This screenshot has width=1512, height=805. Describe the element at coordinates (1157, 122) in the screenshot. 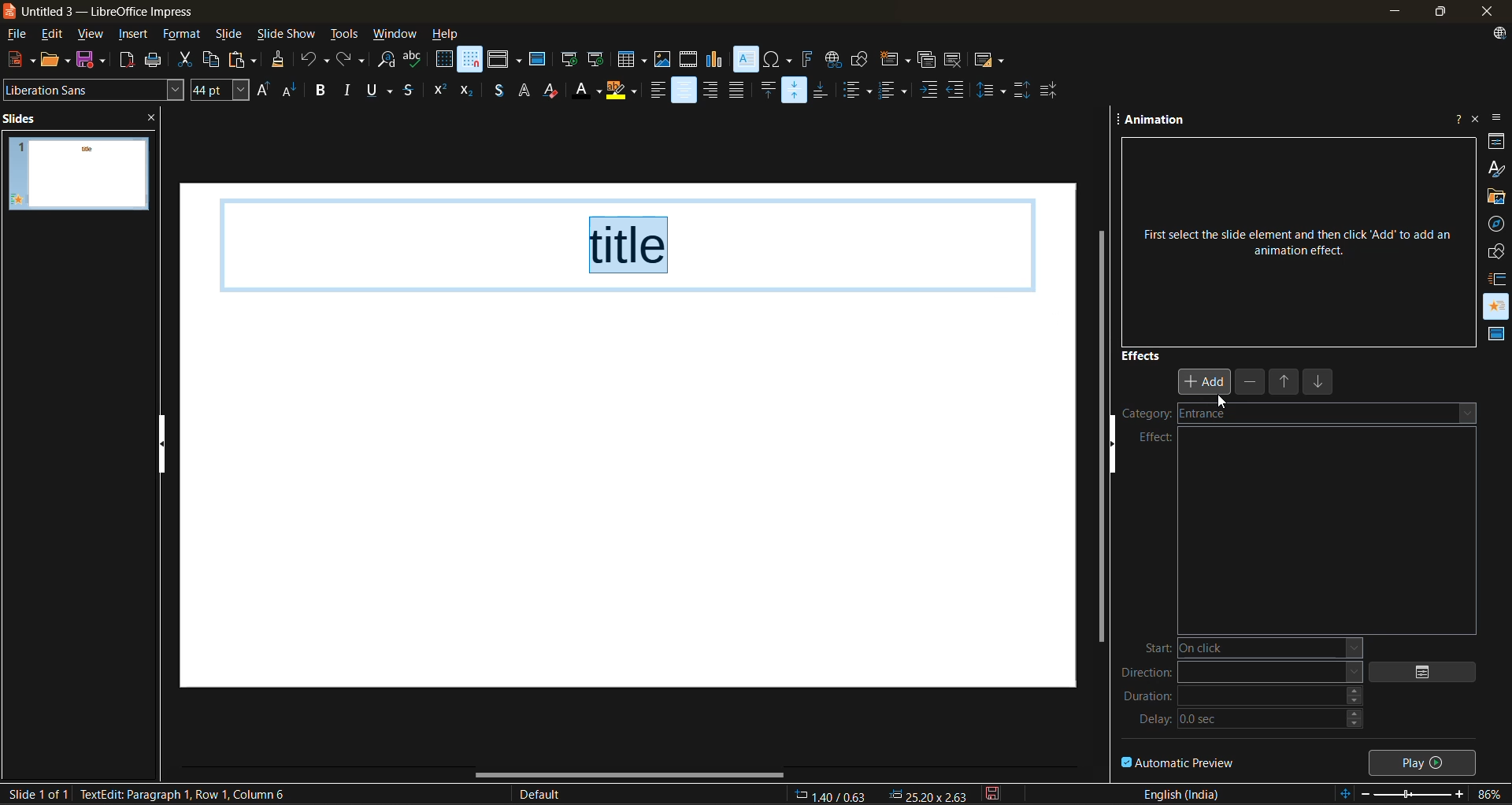

I see `animation` at that location.